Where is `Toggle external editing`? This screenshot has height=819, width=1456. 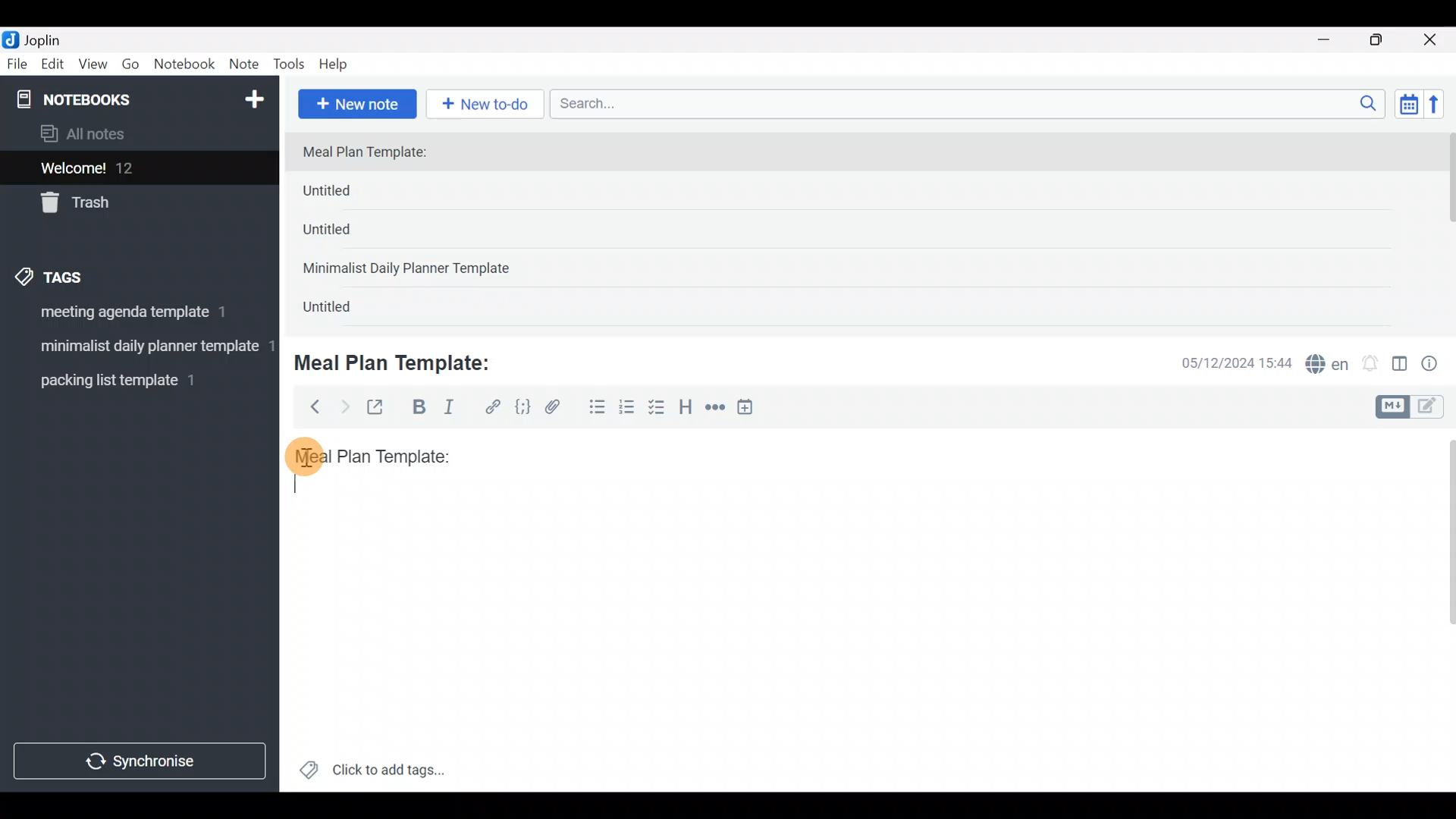 Toggle external editing is located at coordinates (381, 408).